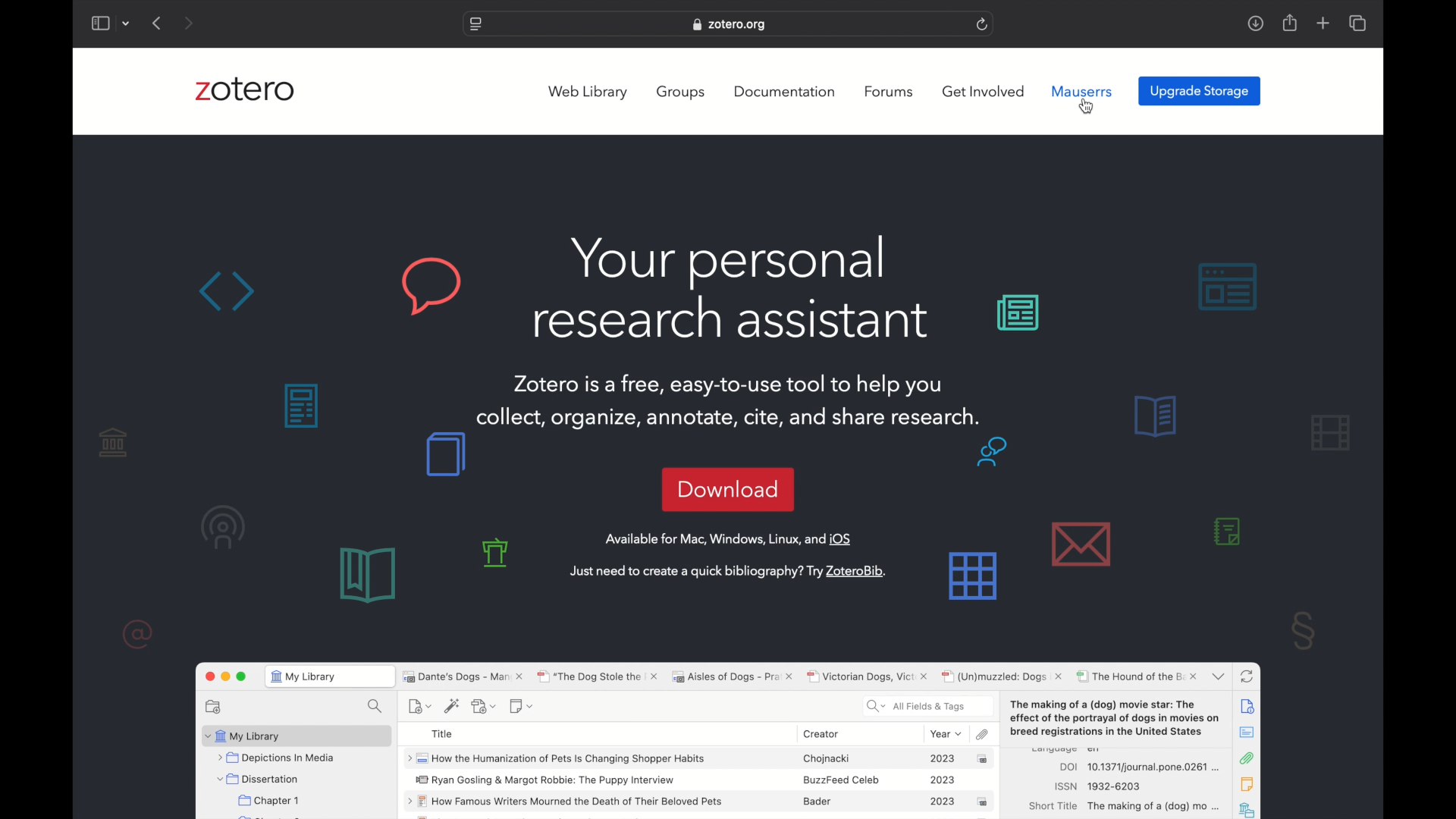  Describe the element at coordinates (190, 24) in the screenshot. I see `next` at that location.